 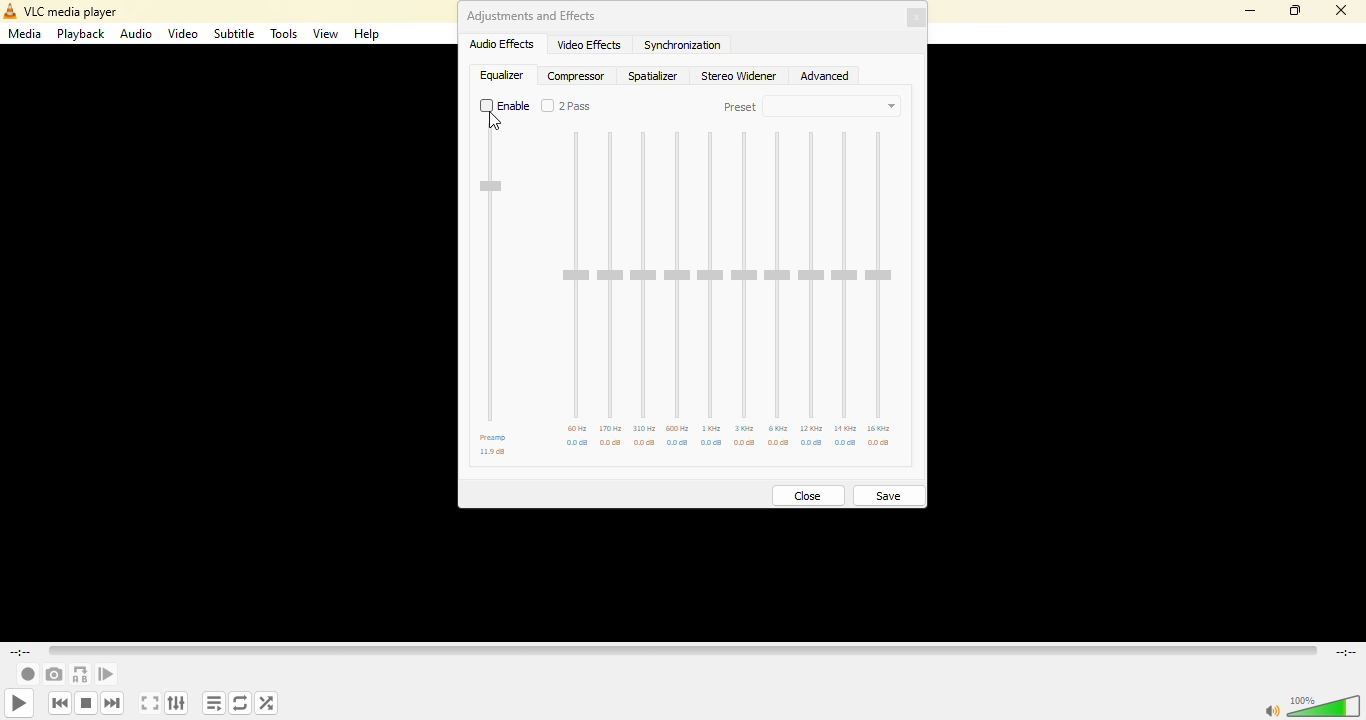 I want to click on adjustor, so click(x=676, y=276).